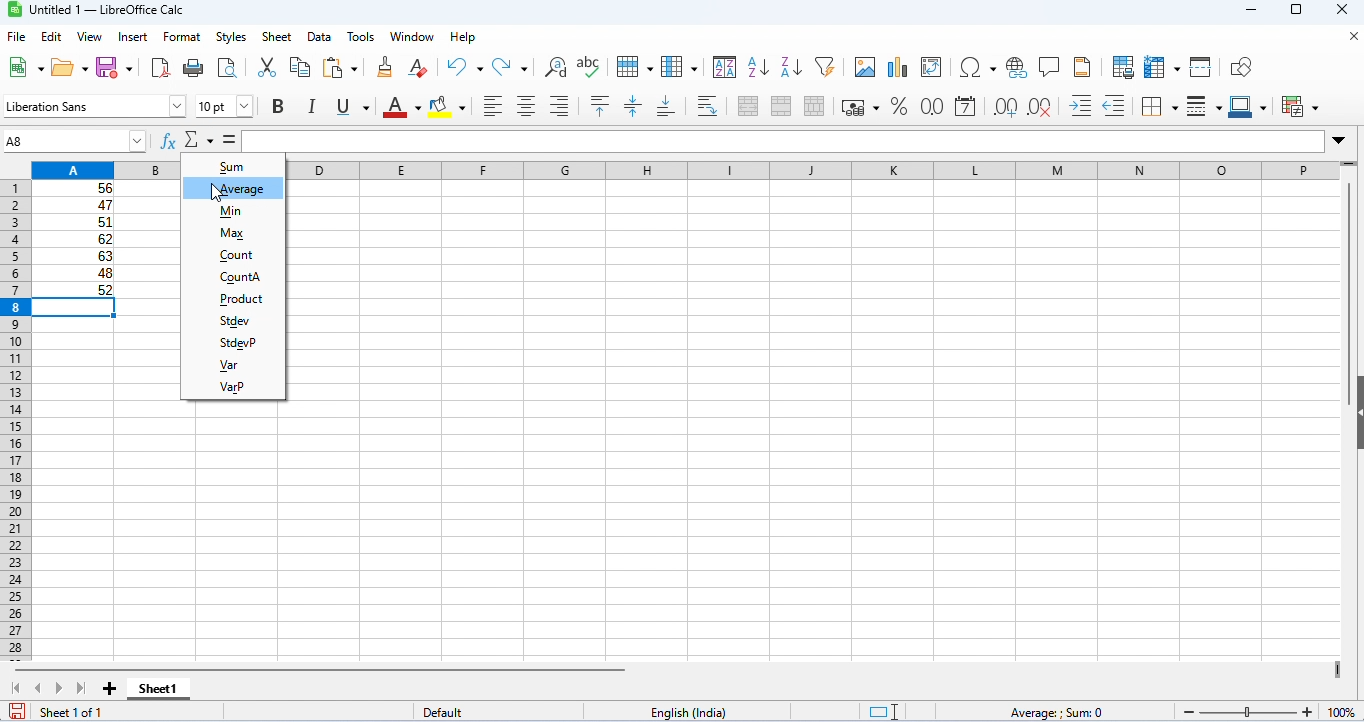 This screenshot has width=1364, height=722. I want to click on sort descending, so click(792, 67).